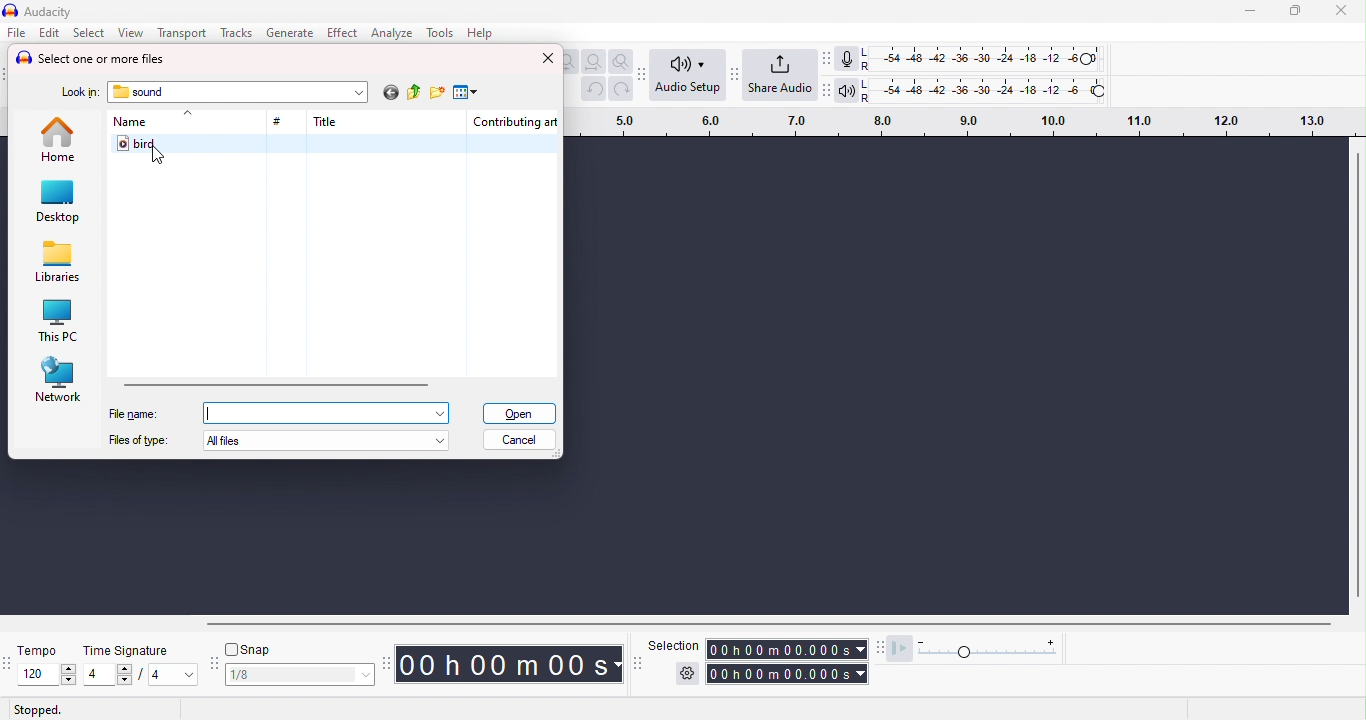 The width and height of the screenshot is (1366, 720). Describe the element at coordinates (342, 32) in the screenshot. I see `effect` at that location.